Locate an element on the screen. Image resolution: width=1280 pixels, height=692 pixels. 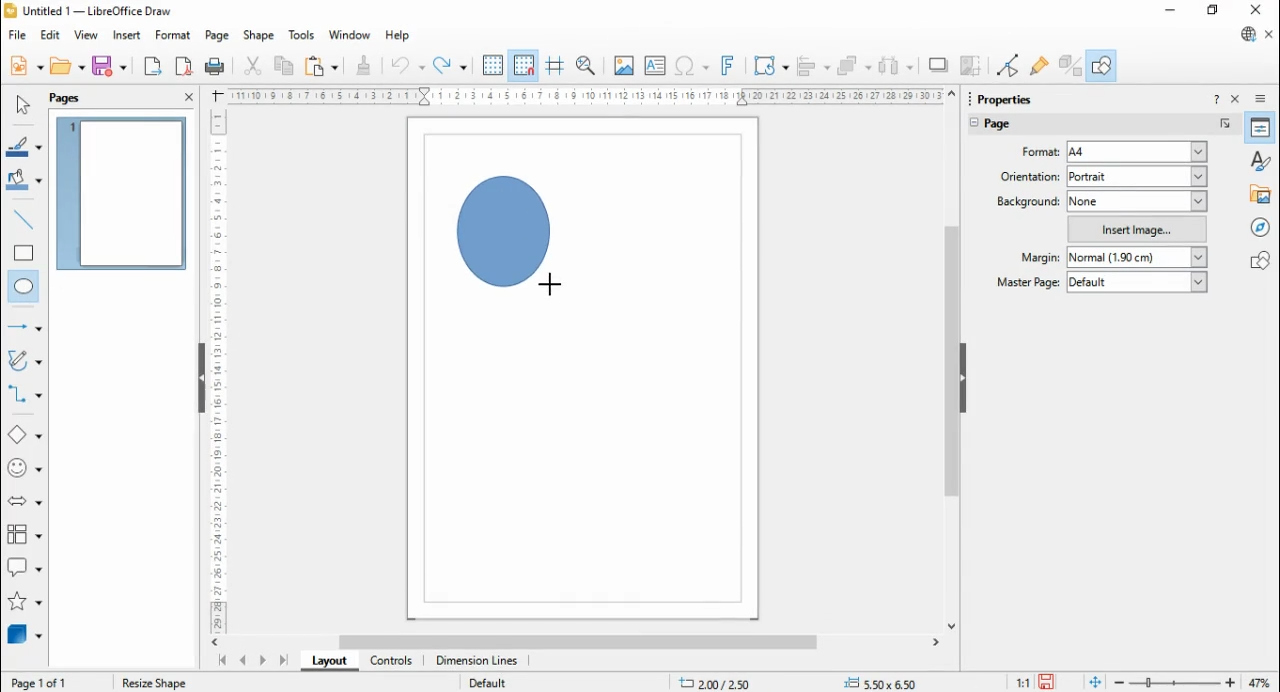
properties is located at coordinates (1261, 127).